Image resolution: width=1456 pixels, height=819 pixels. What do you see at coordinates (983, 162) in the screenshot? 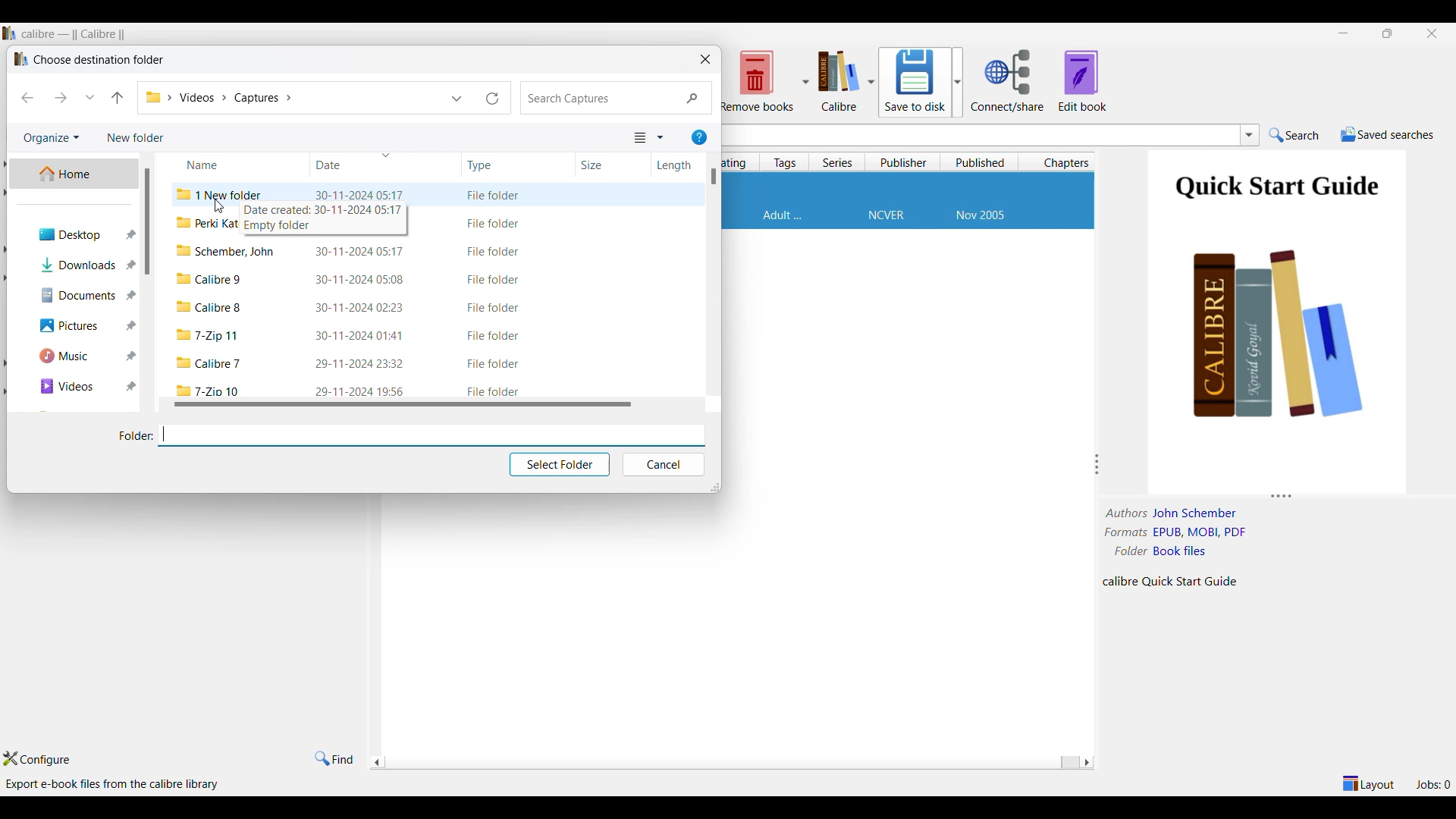
I see `Published column` at bounding box center [983, 162].